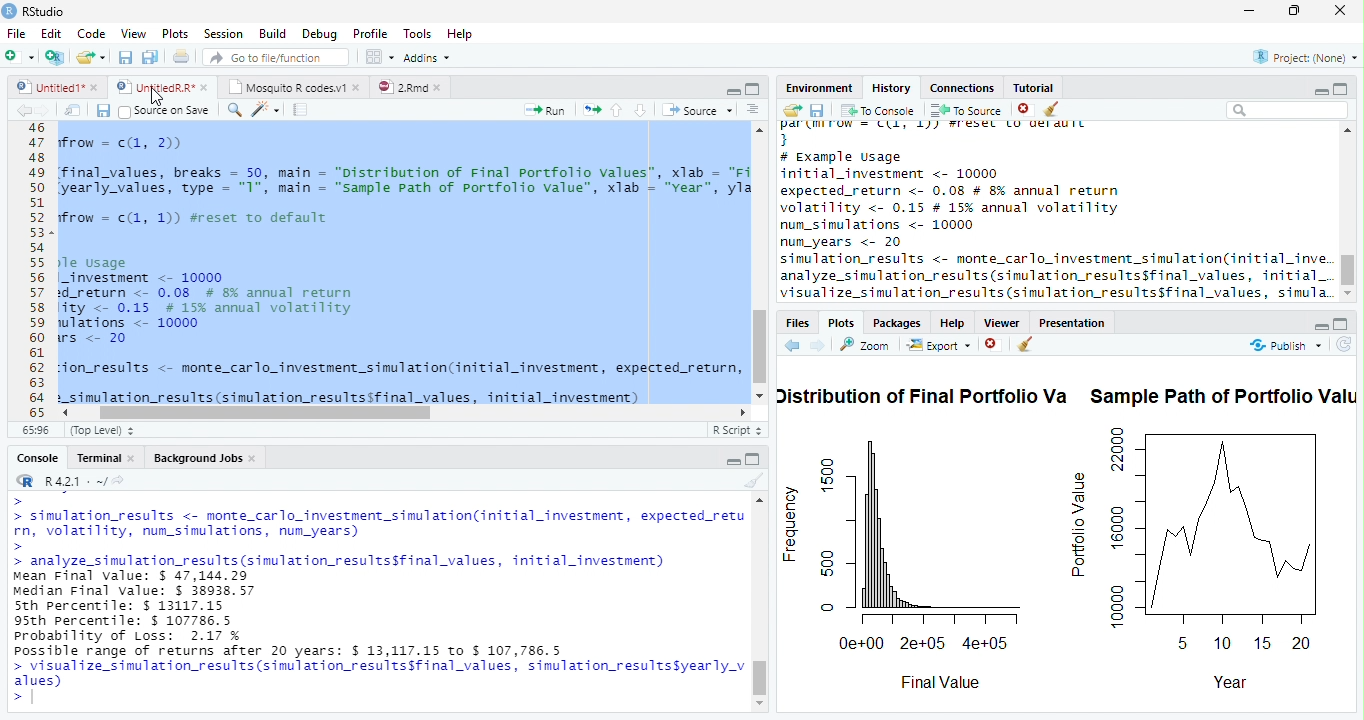 The width and height of the screenshot is (1364, 720). What do you see at coordinates (1027, 109) in the screenshot?
I see `Remove Selected` at bounding box center [1027, 109].